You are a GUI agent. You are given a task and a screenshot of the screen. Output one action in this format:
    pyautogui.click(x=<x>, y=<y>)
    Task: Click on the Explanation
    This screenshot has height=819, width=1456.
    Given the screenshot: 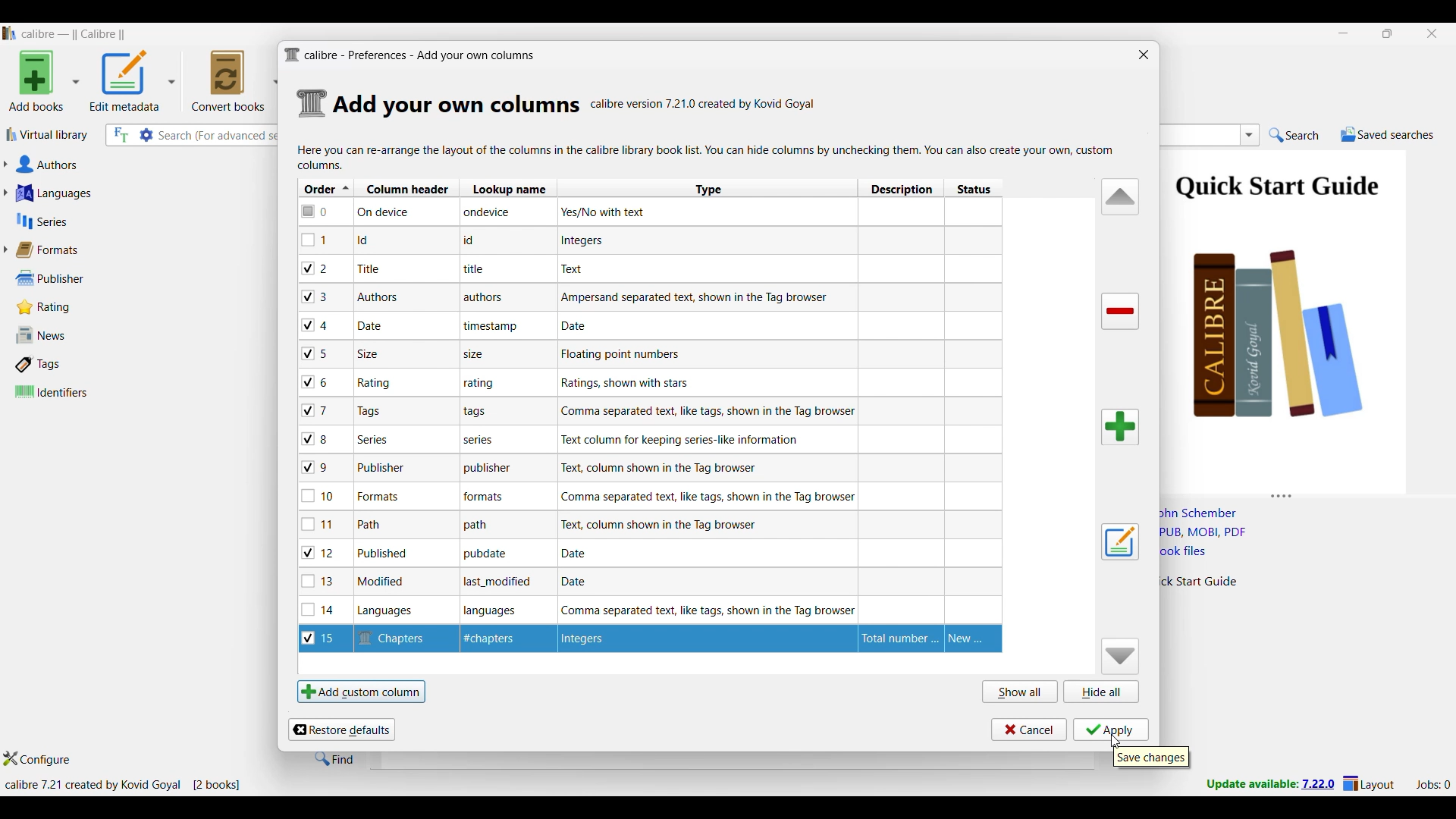 What is the action you would take?
    pyautogui.click(x=698, y=297)
    